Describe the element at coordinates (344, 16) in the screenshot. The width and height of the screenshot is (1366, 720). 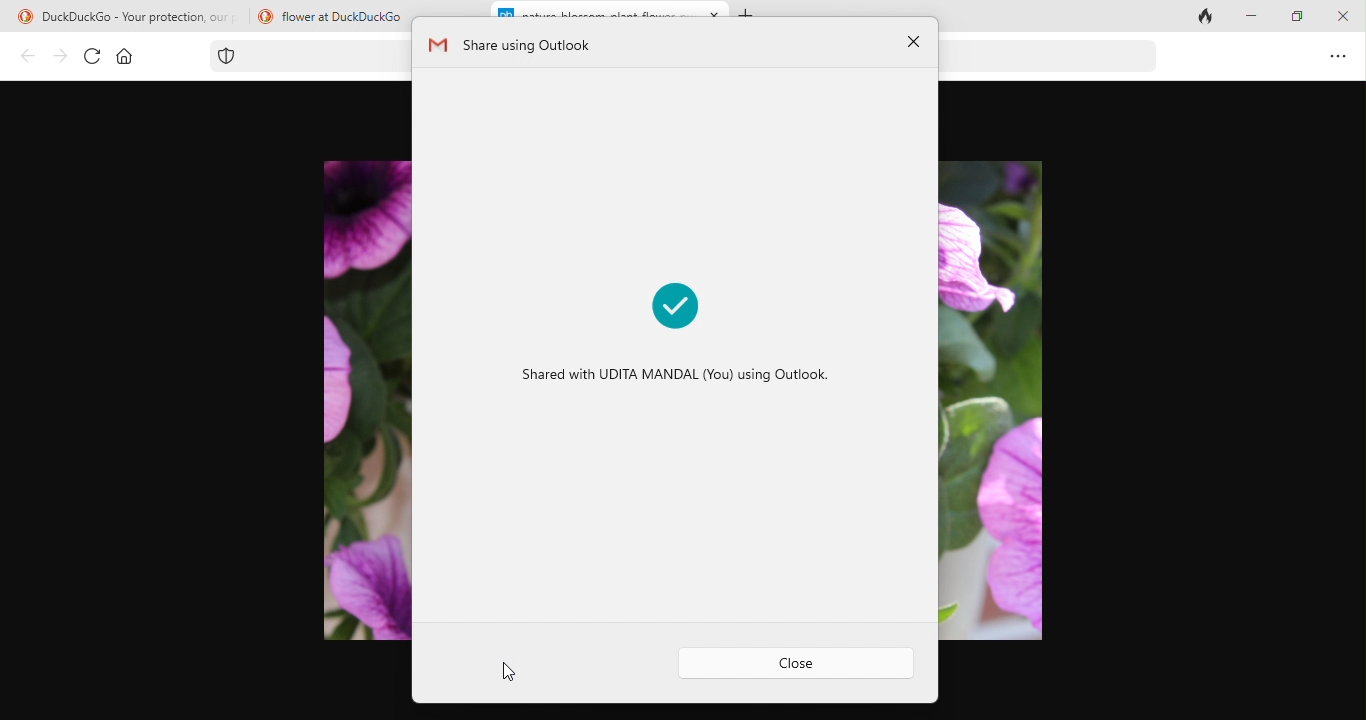
I see ` flower at DuckDuckGo` at that location.